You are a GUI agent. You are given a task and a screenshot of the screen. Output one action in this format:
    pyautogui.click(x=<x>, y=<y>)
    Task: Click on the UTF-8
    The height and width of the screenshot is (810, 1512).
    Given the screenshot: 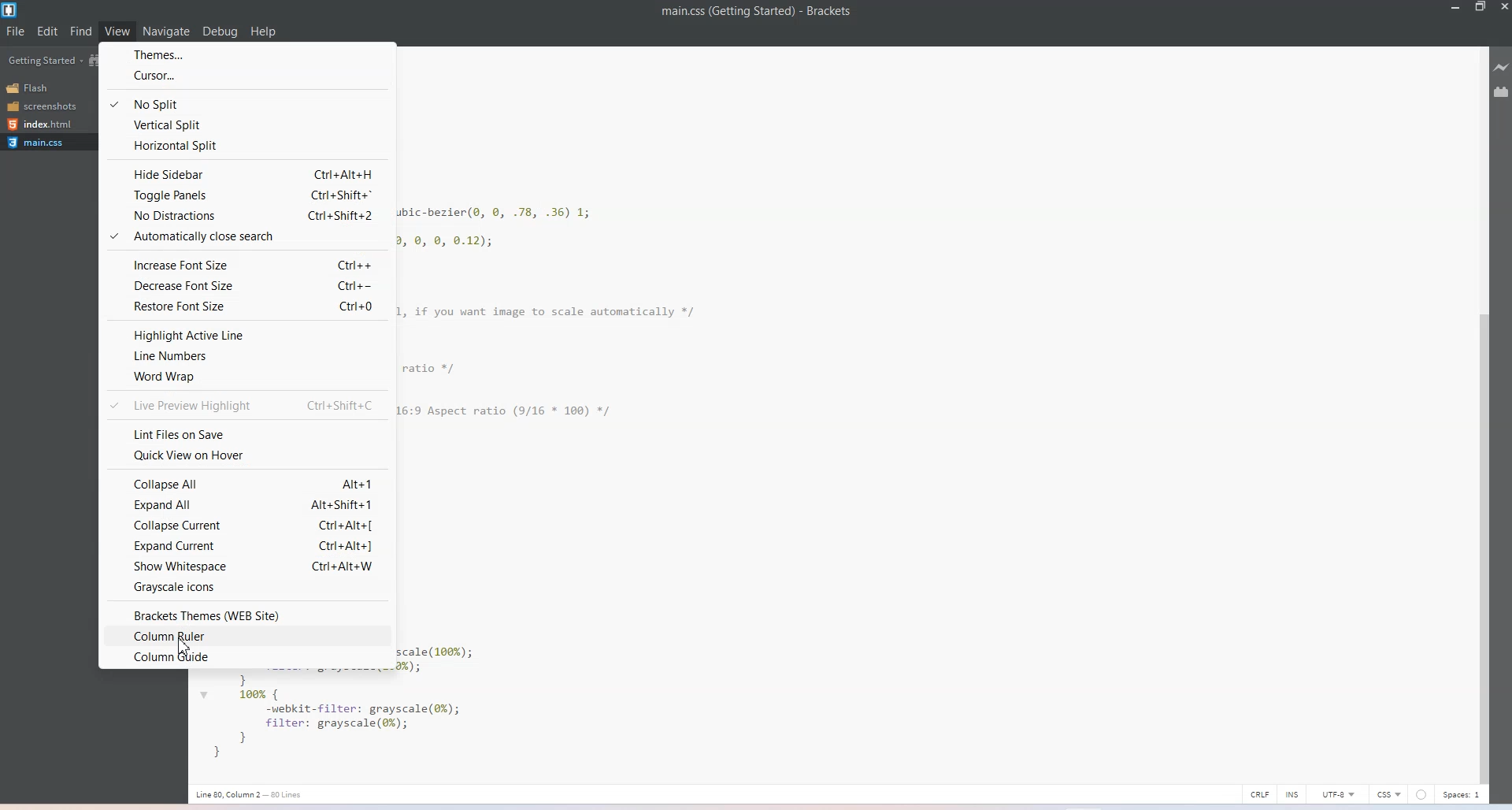 What is the action you would take?
    pyautogui.click(x=1340, y=794)
    